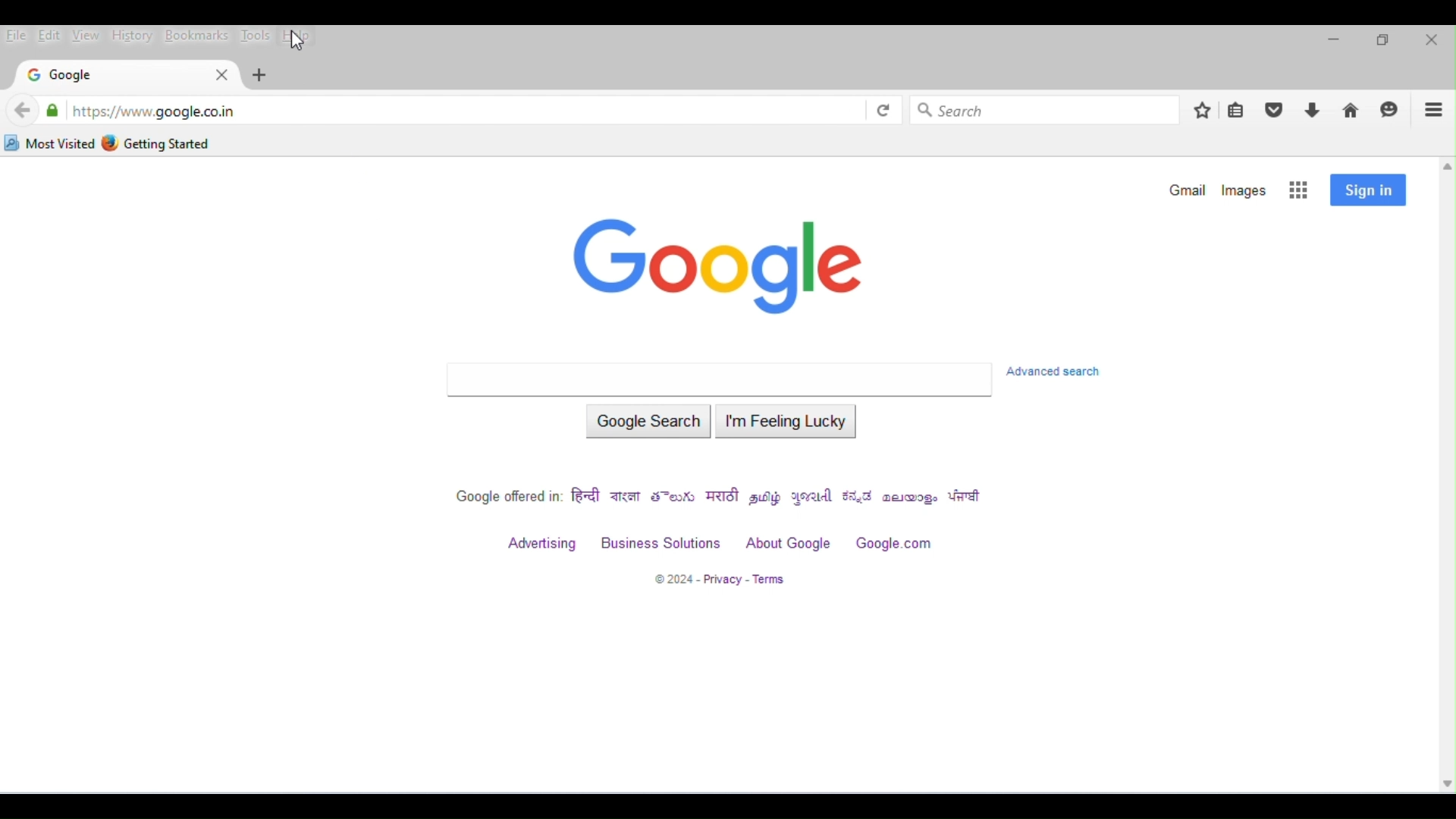 This screenshot has height=819, width=1456. I want to click on most visited, so click(50, 143).